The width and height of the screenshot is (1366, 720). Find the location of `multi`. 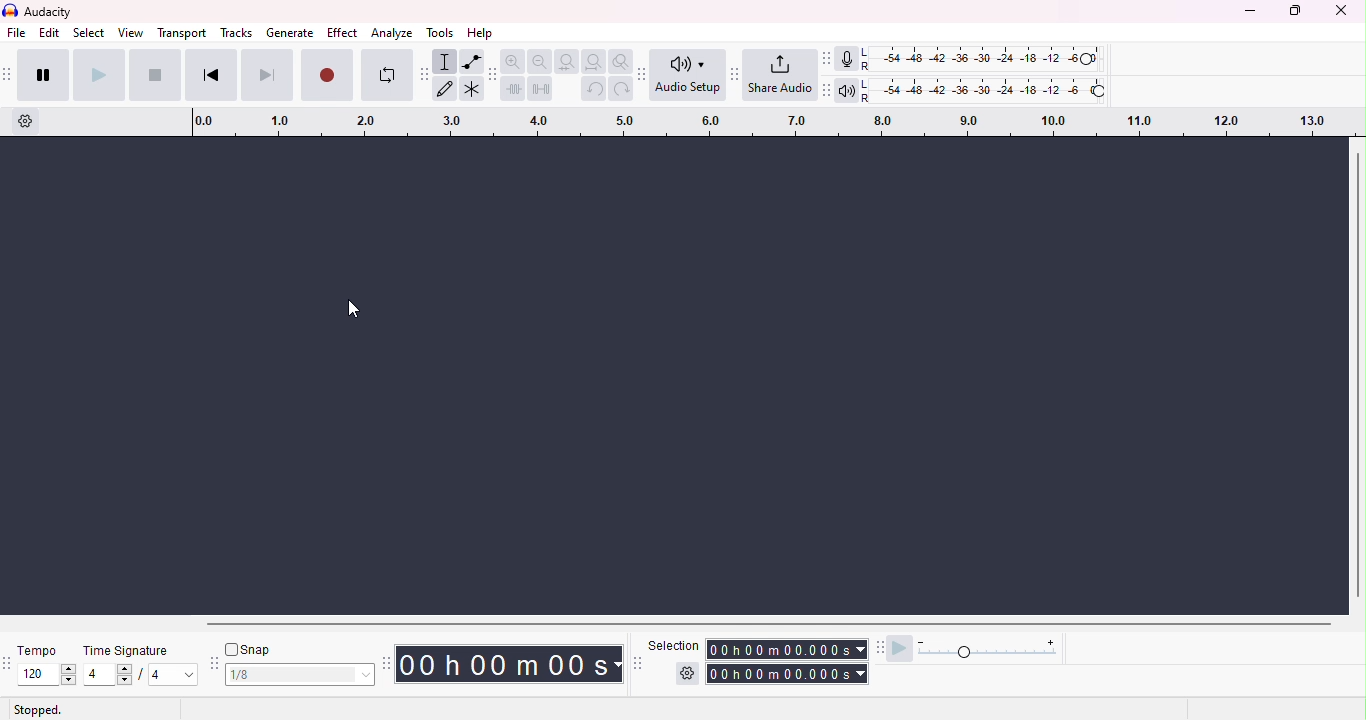

multi is located at coordinates (471, 88).